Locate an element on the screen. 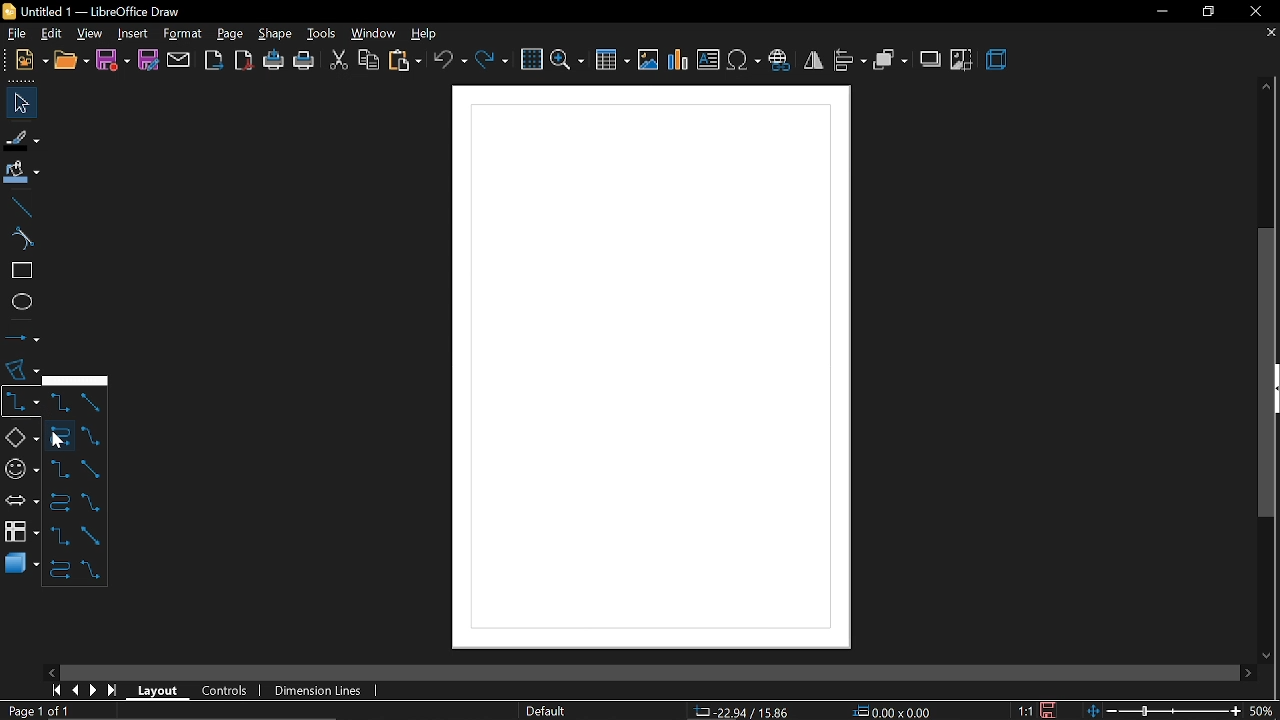 The width and height of the screenshot is (1280, 720). flip is located at coordinates (812, 61).